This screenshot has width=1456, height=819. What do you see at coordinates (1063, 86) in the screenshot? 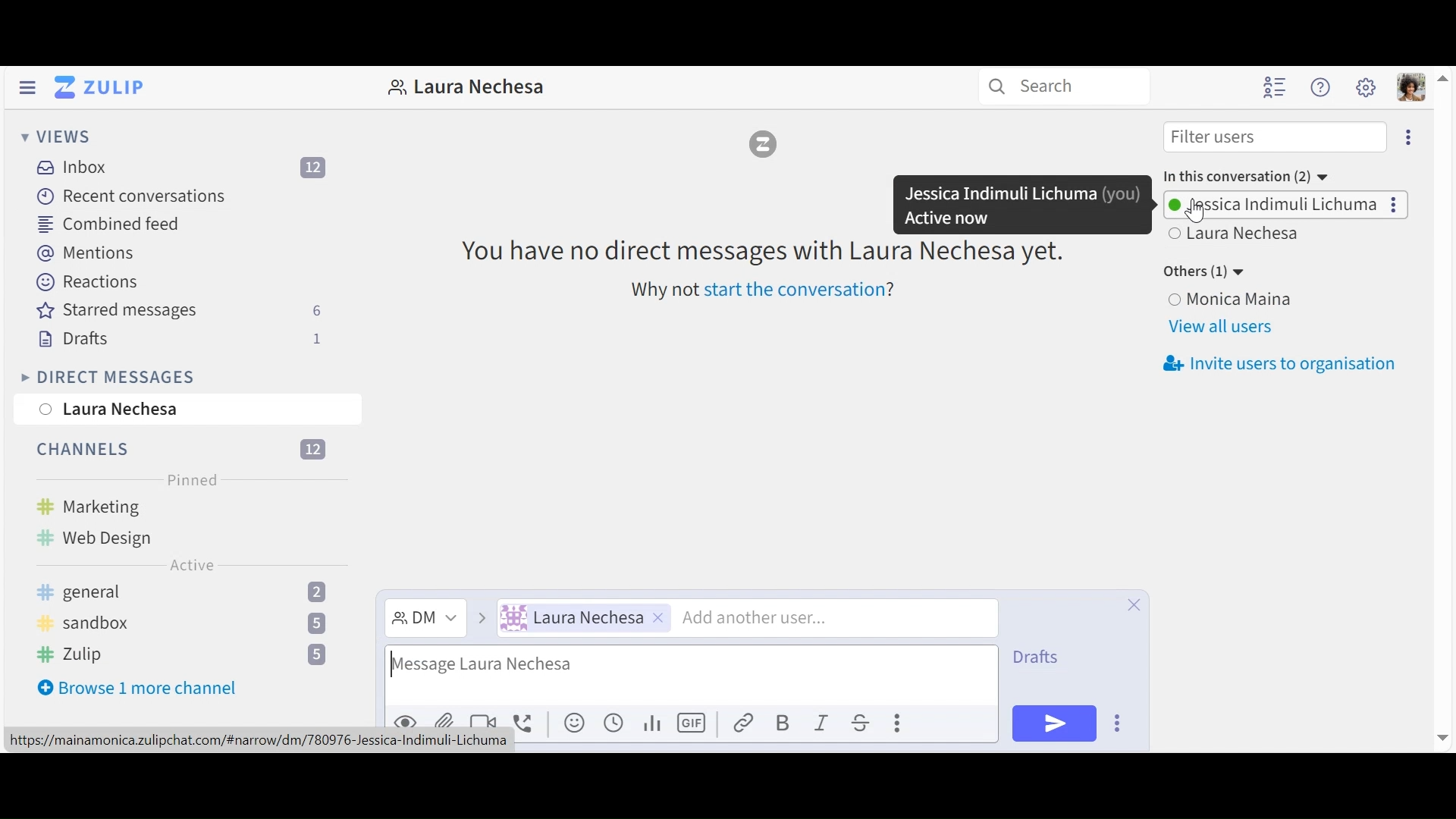
I see `Search` at bounding box center [1063, 86].